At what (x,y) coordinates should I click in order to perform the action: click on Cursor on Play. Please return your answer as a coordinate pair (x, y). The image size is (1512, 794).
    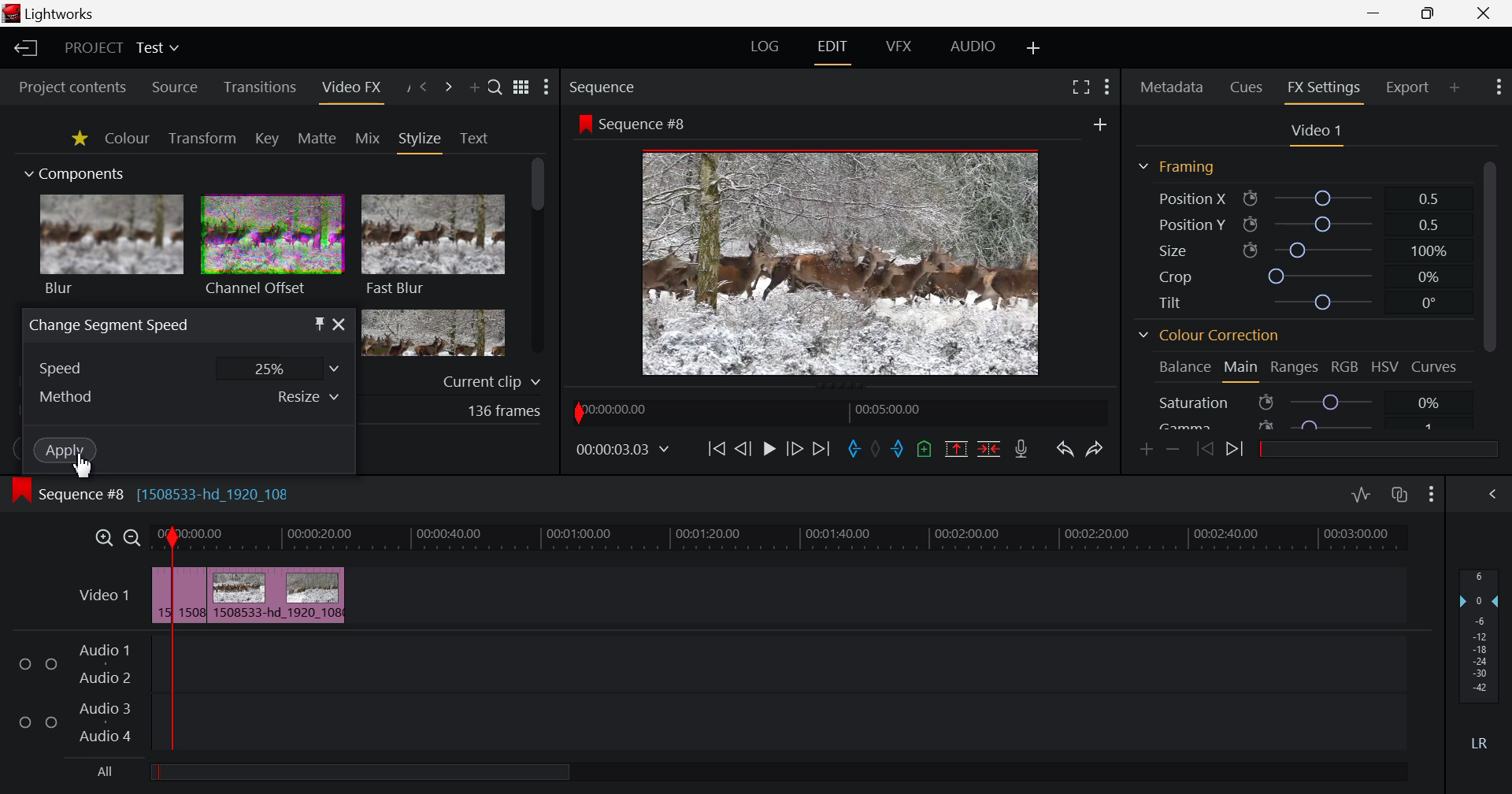
    Looking at the image, I should click on (769, 449).